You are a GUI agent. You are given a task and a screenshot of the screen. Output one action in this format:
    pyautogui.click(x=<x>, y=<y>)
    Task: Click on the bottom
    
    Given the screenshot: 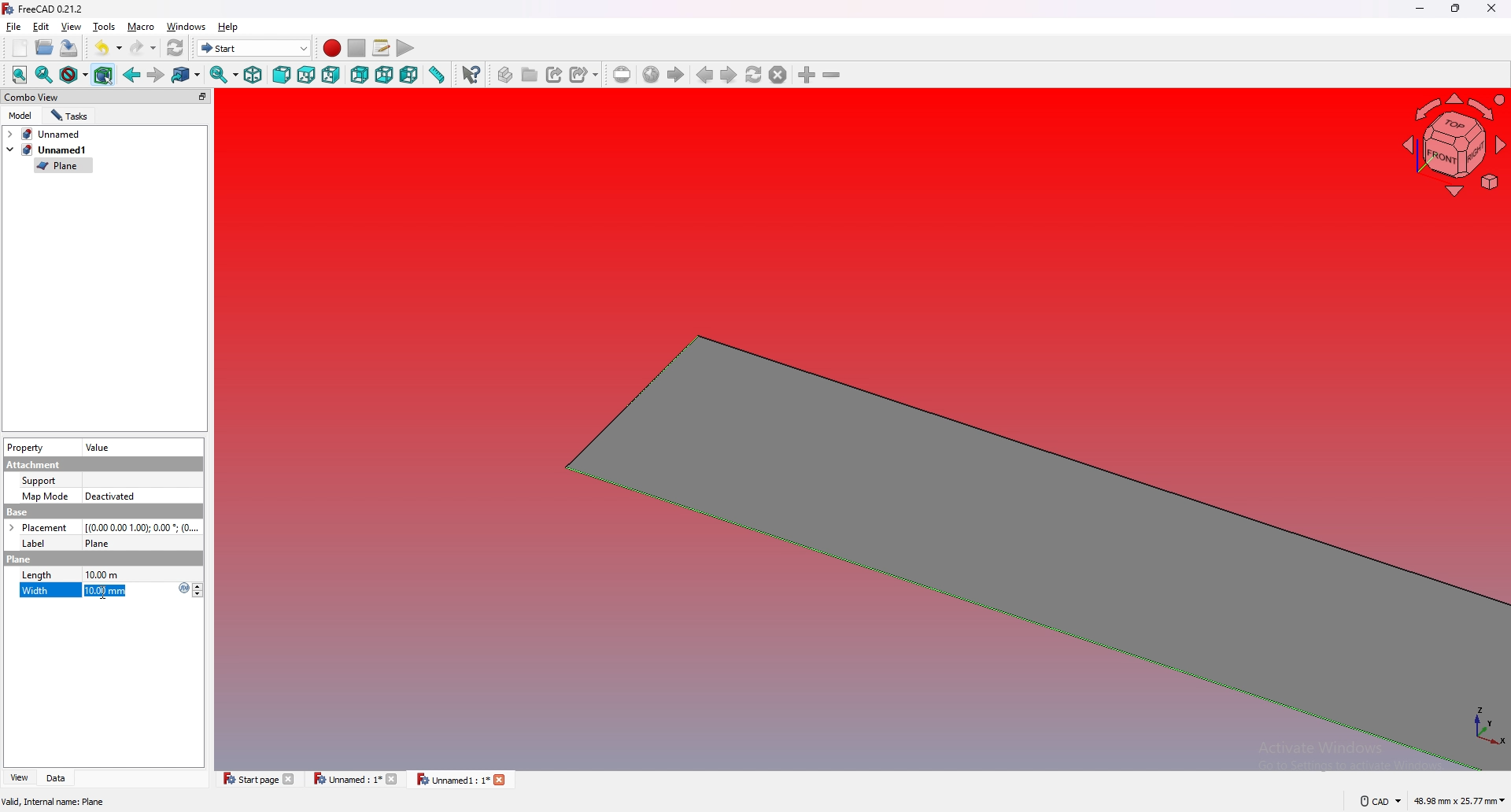 What is the action you would take?
    pyautogui.click(x=384, y=76)
    